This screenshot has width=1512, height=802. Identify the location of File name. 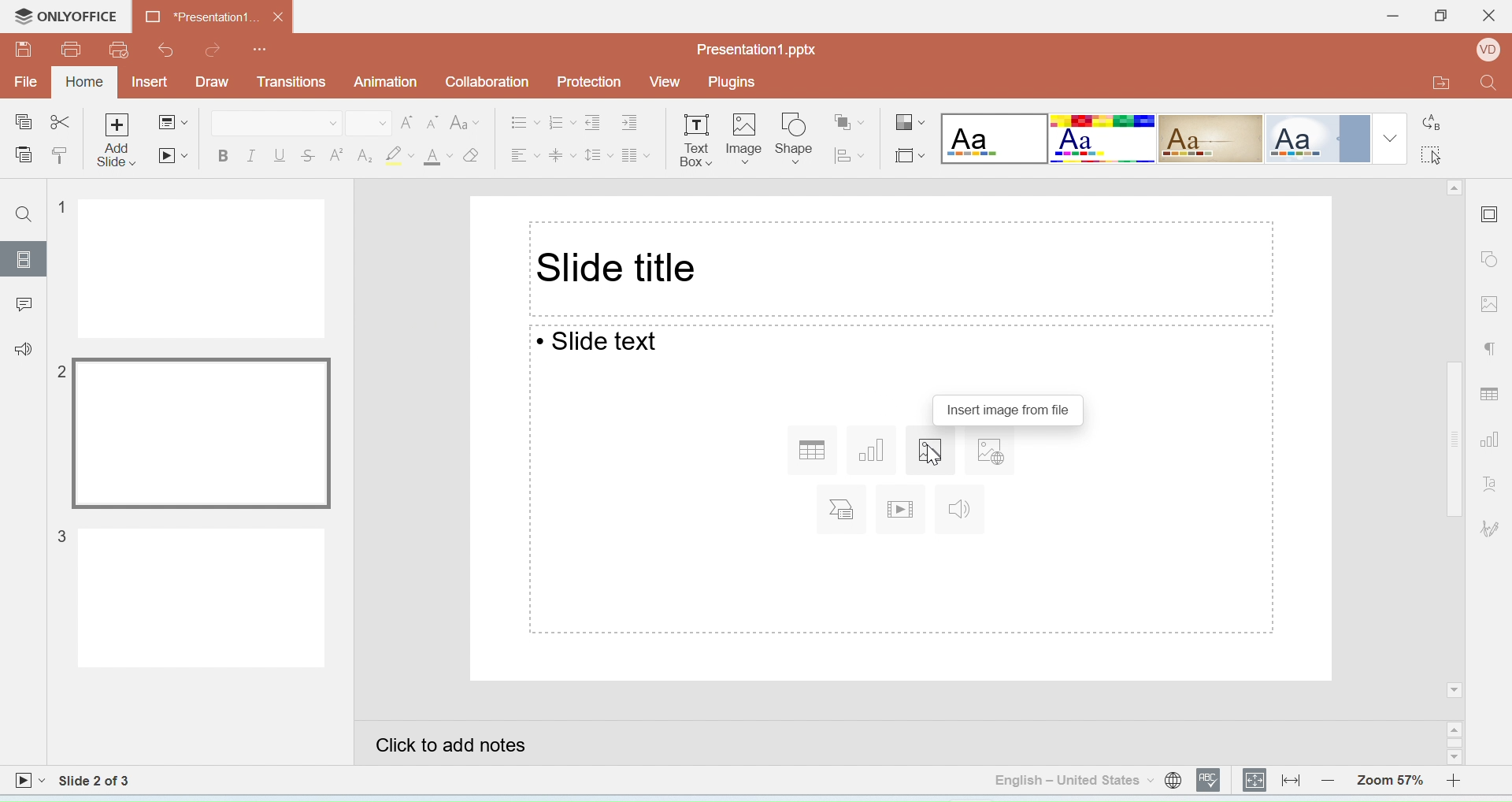
(758, 50).